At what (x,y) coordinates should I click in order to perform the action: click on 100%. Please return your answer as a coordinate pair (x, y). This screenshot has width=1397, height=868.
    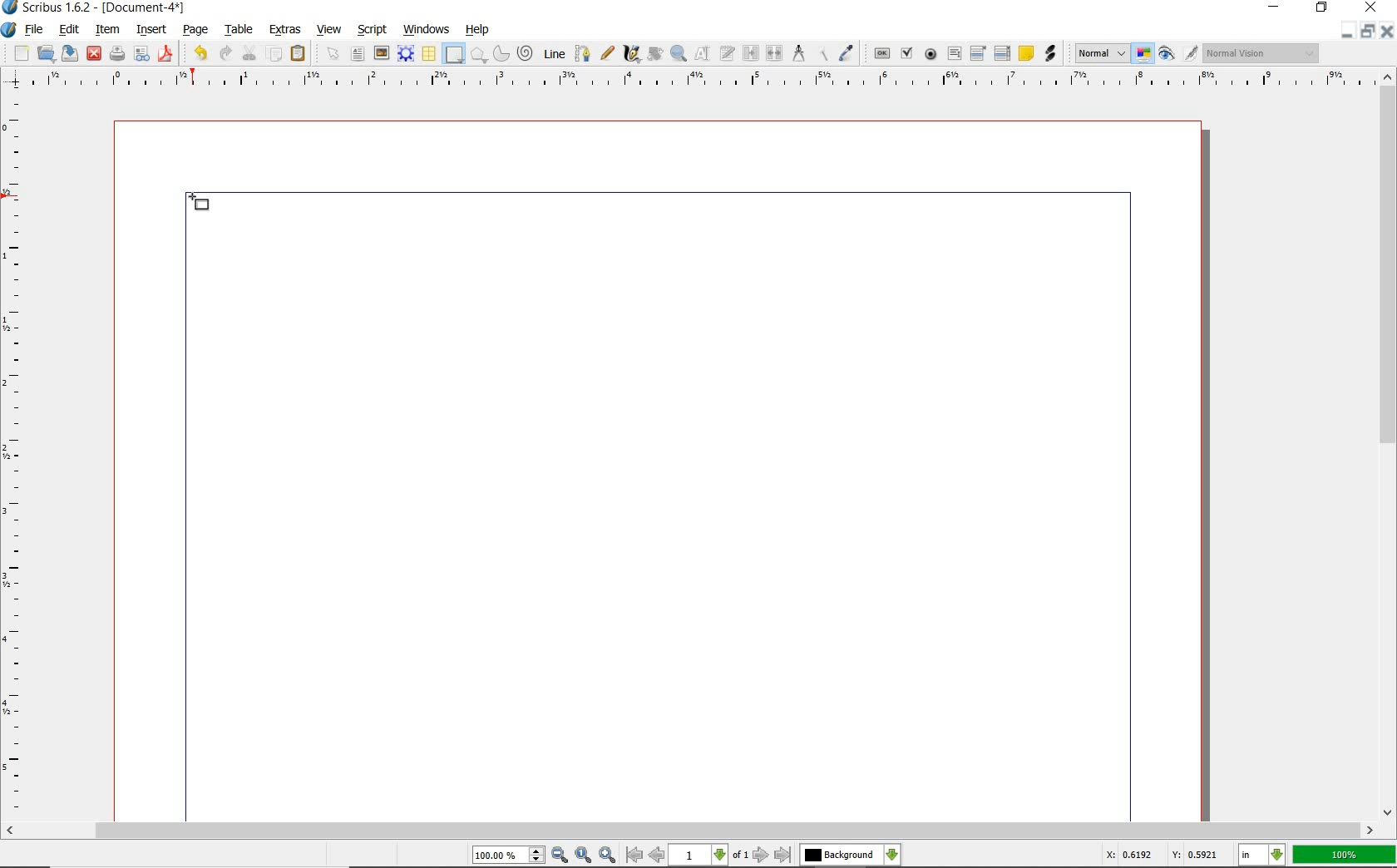
    Looking at the image, I should click on (1344, 855).